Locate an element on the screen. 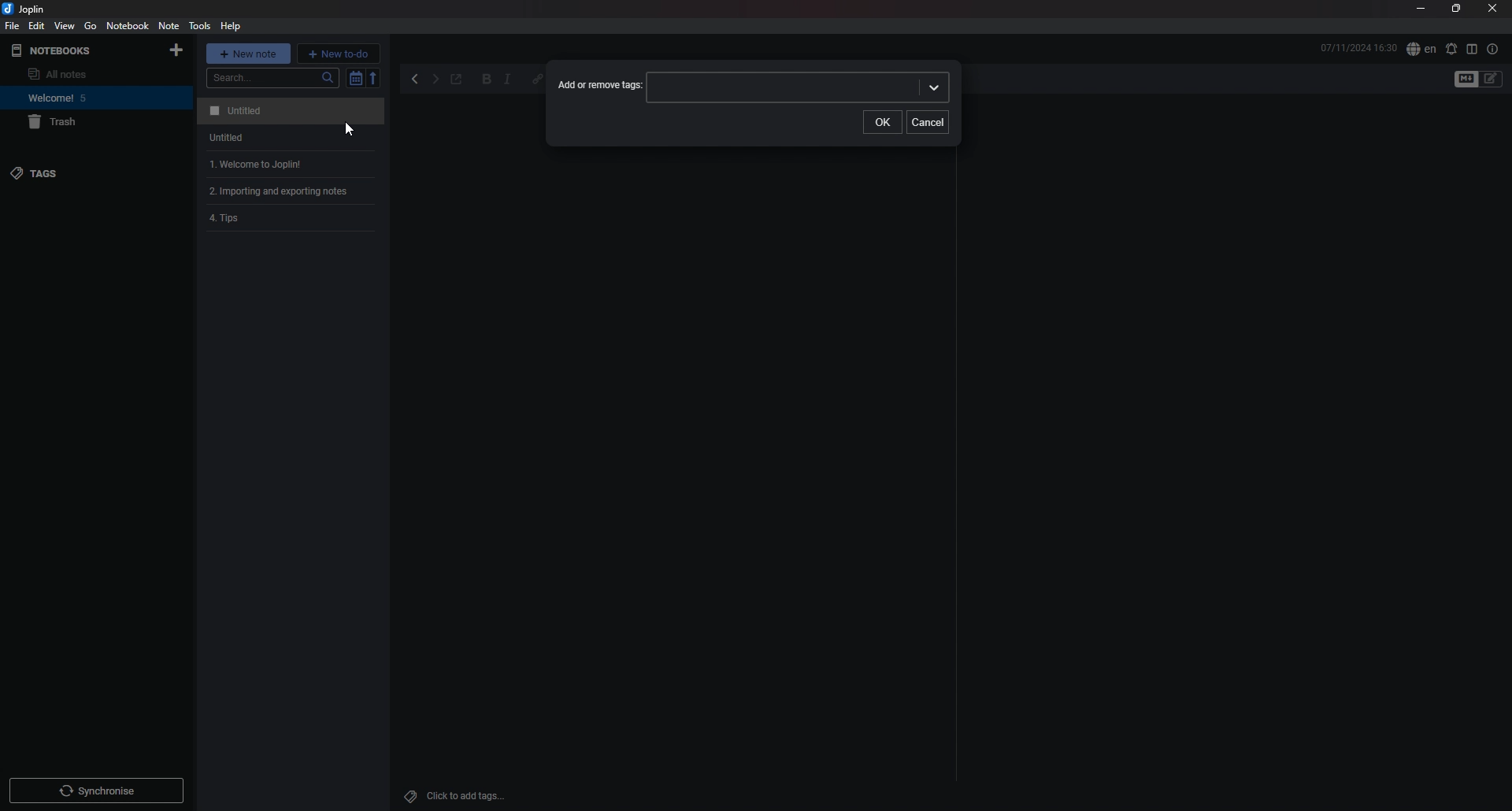  time and date is located at coordinates (1358, 47).